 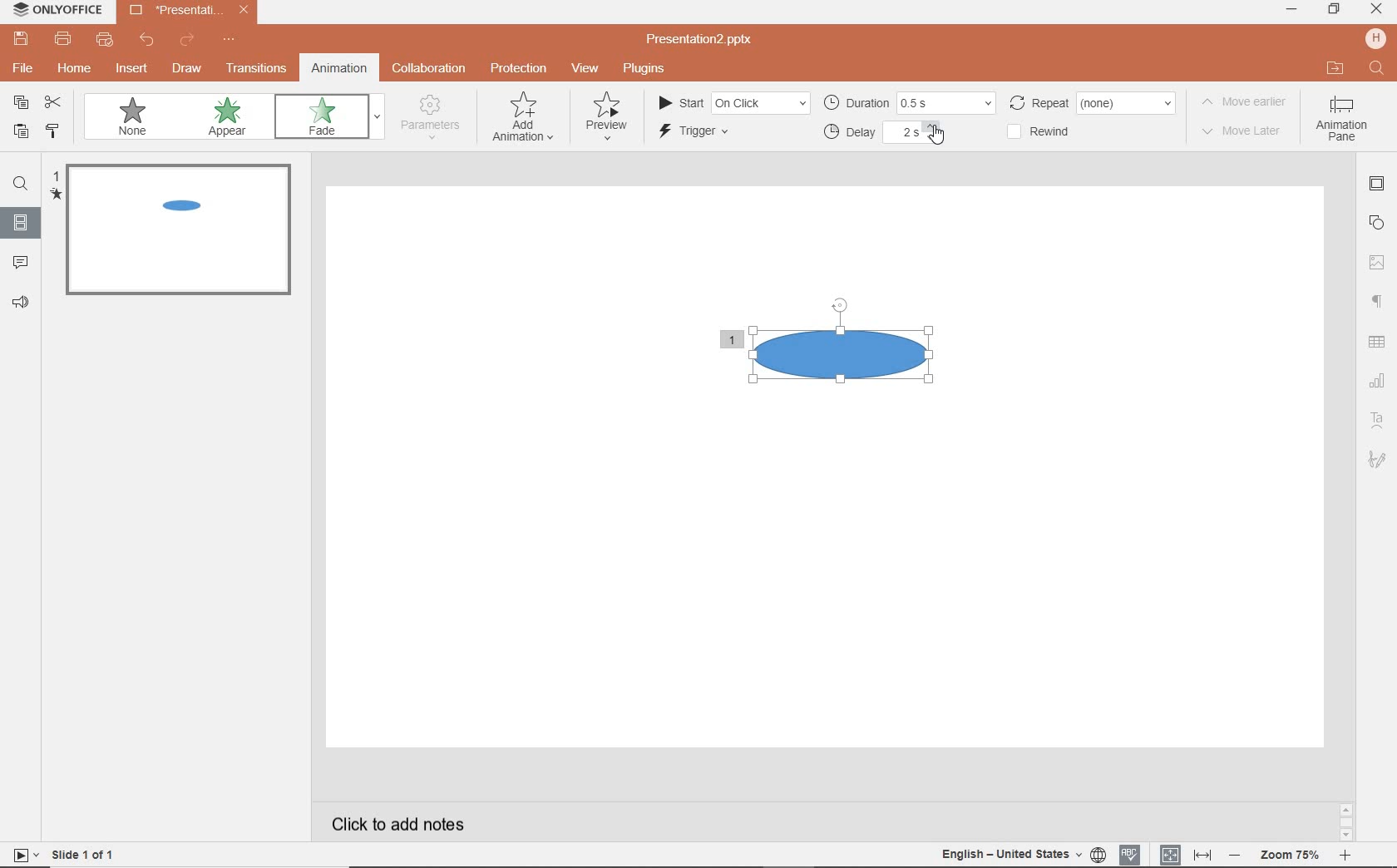 What do you see at coordinates (1376, 223) in the screenshot?
I see `shape settings` at bounding box center [1376, 223].